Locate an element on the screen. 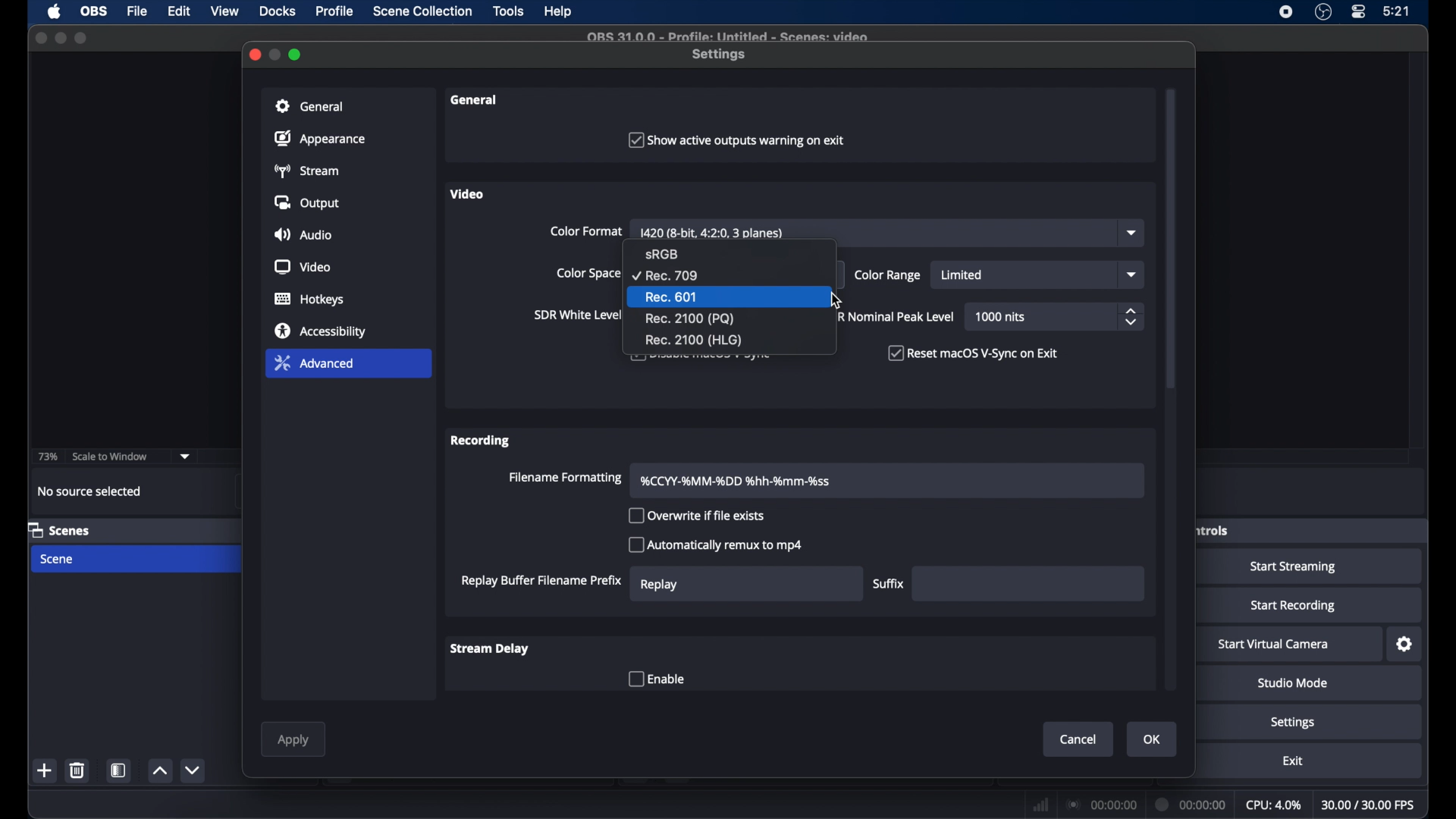  settings is located at coordinates (718, 55).